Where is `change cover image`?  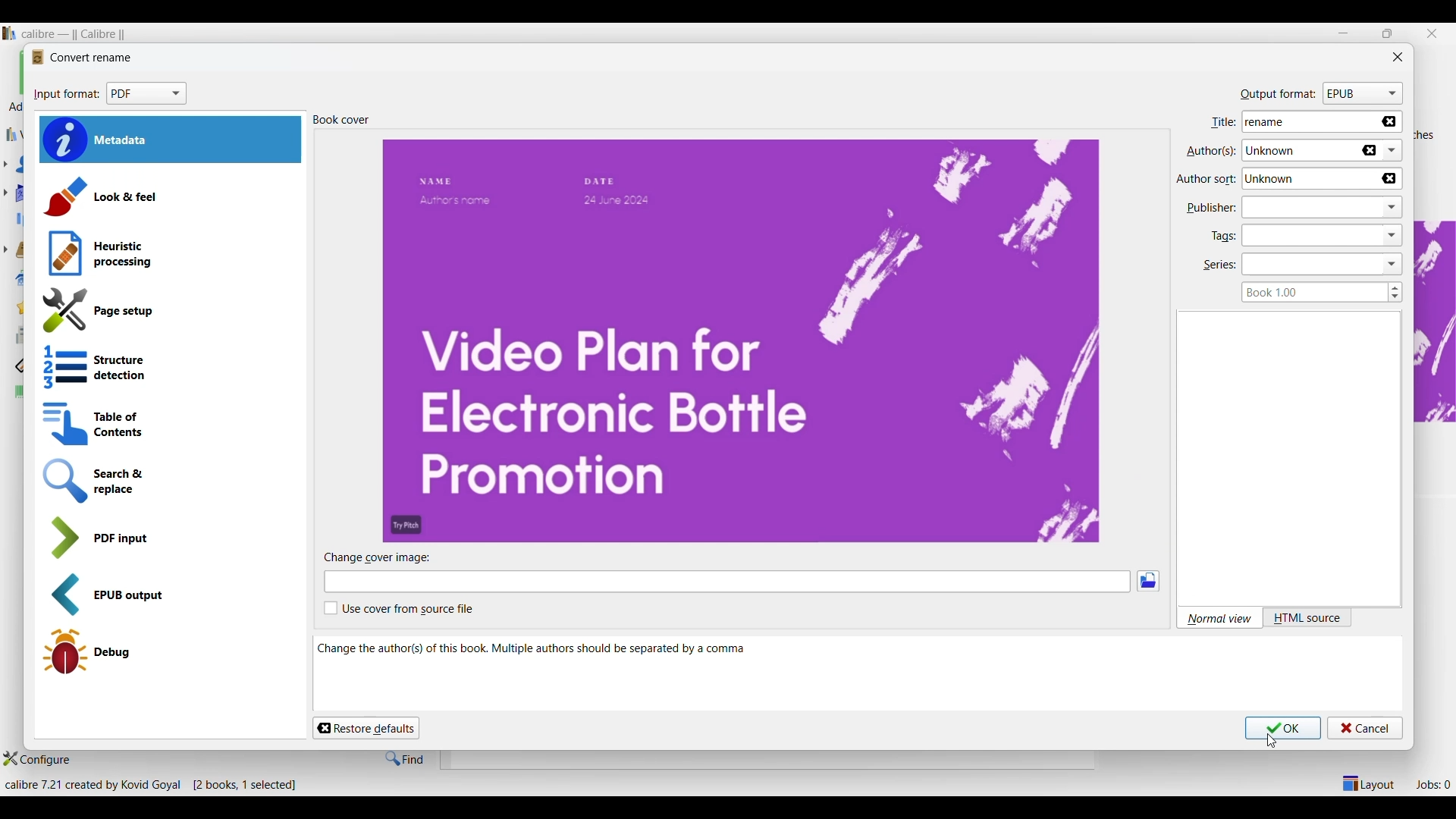
change cover image is located at coordinates (377, 557).